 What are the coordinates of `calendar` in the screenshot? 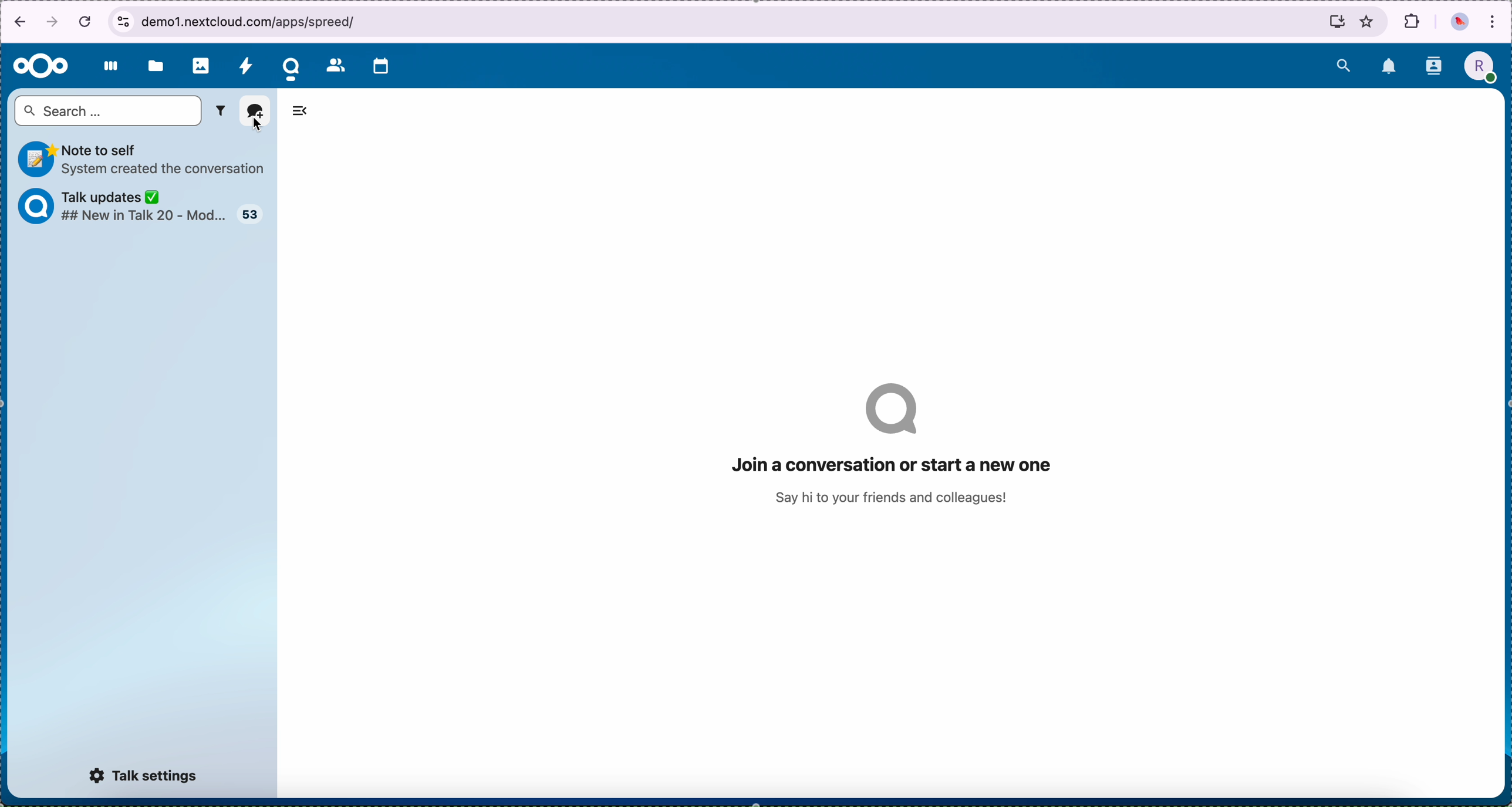 It's located at (383, 66).